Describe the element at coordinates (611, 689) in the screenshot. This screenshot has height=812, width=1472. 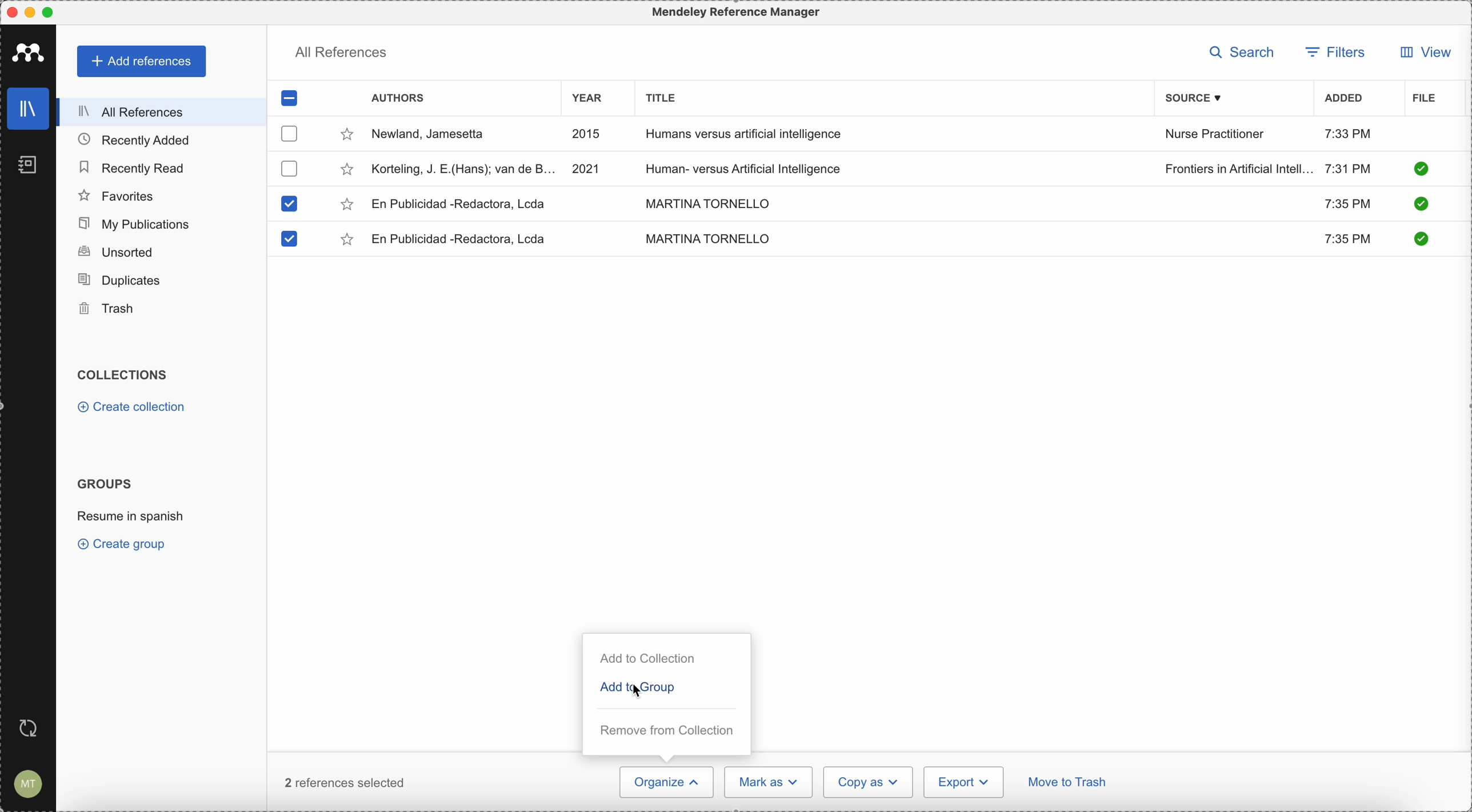
I see `add to group` at that location.